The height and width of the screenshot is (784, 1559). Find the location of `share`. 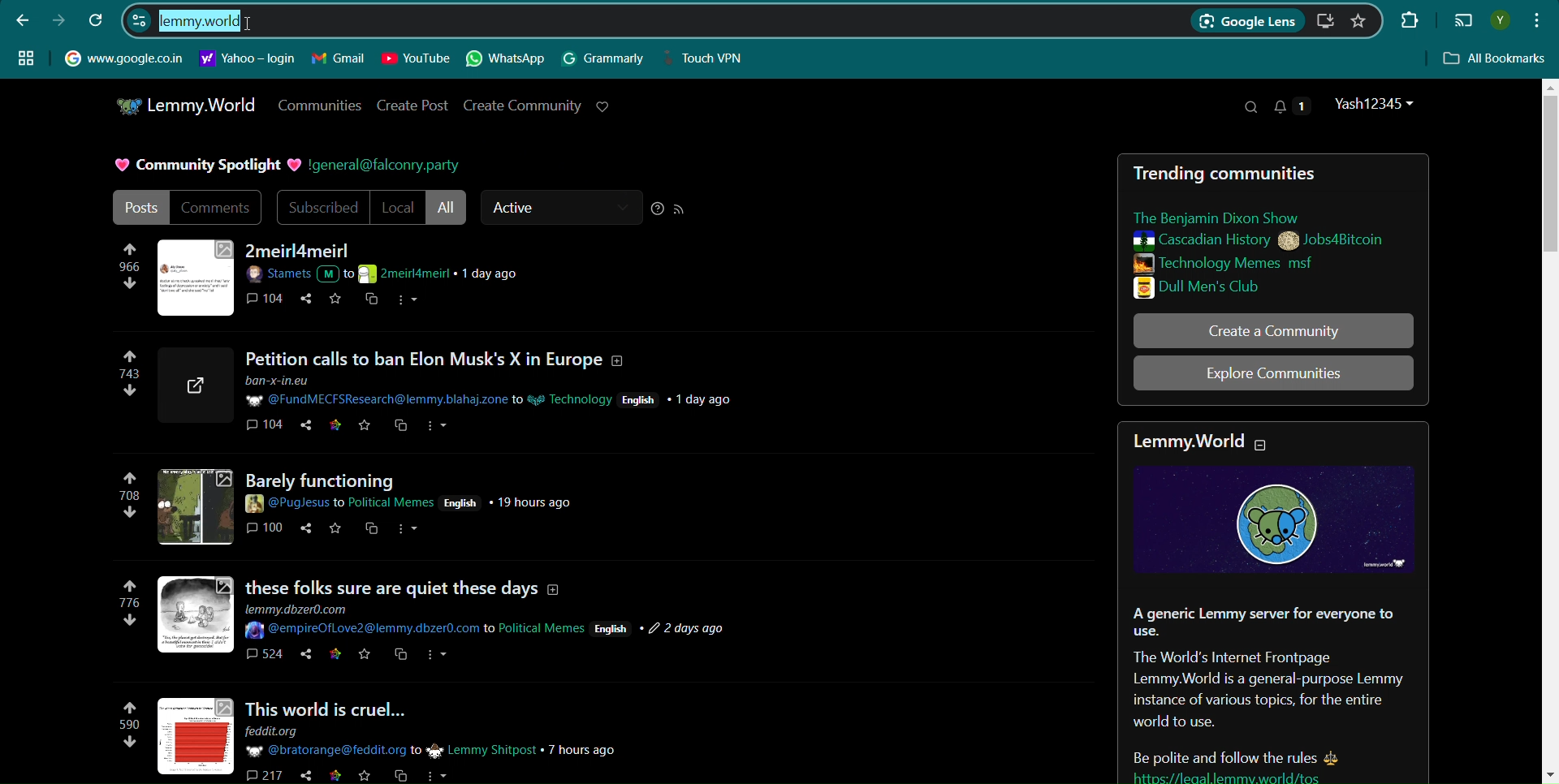

share is located at coordinates (306, 302).